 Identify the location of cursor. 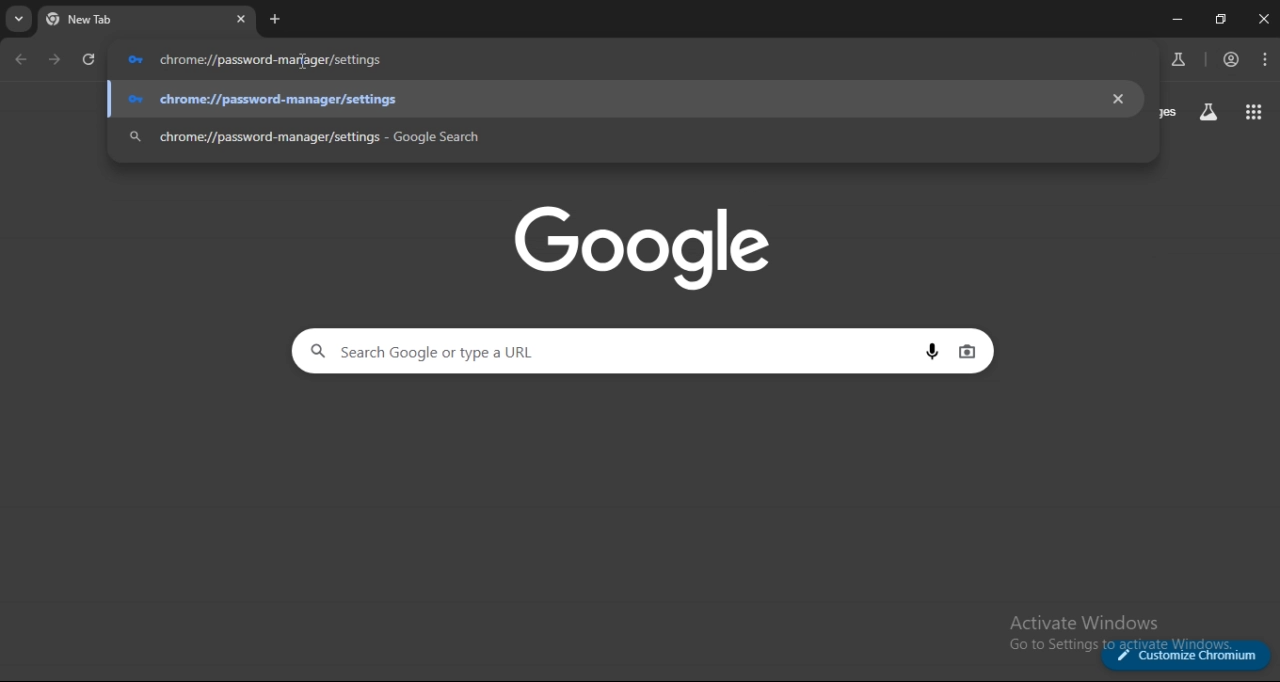
(310, 59).